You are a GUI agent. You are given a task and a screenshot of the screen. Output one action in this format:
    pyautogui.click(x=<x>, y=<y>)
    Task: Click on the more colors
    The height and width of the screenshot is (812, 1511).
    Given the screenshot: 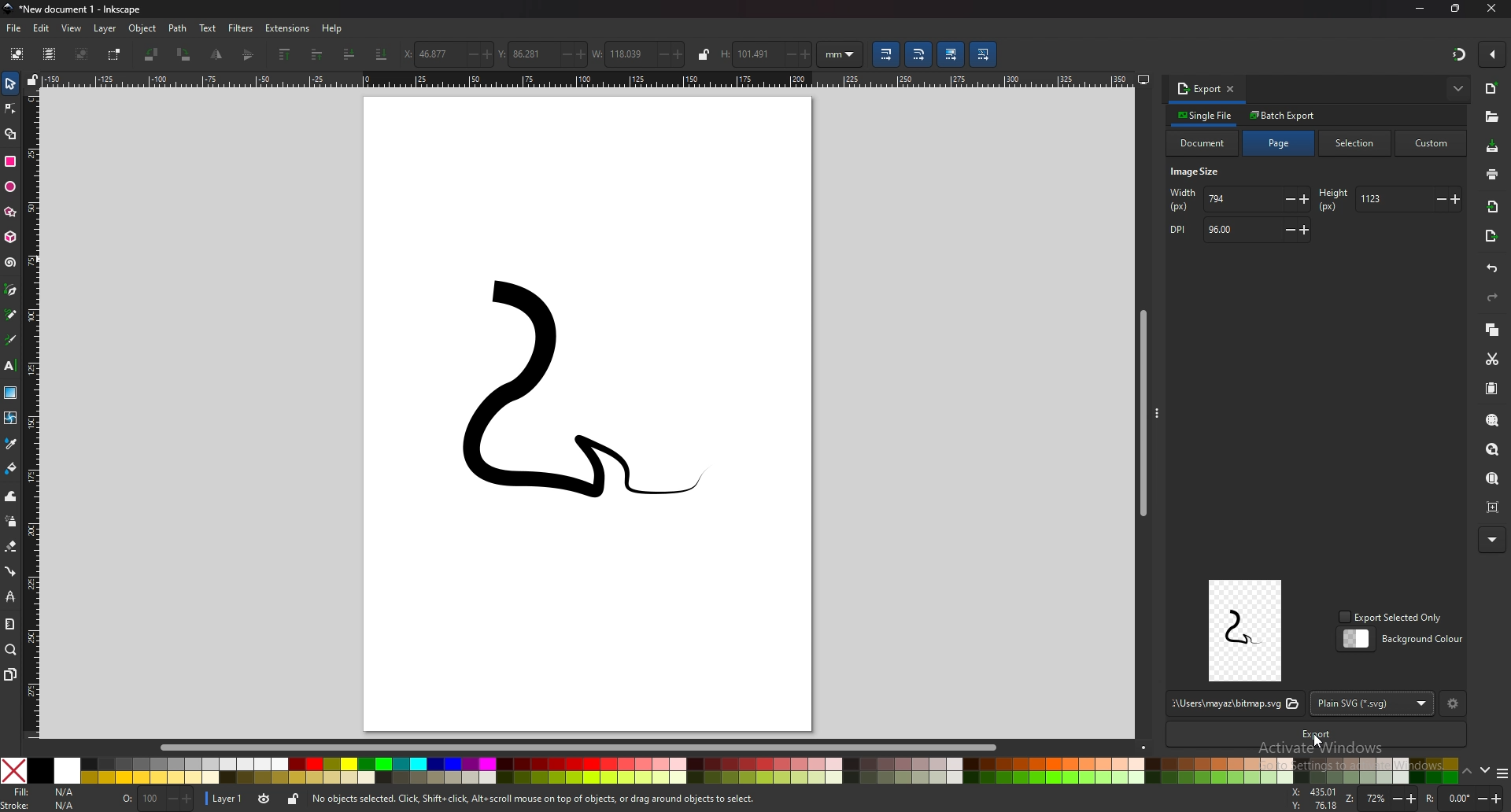 What is the action you would take?
    pyautogui.click(x=1499, y=773)
    